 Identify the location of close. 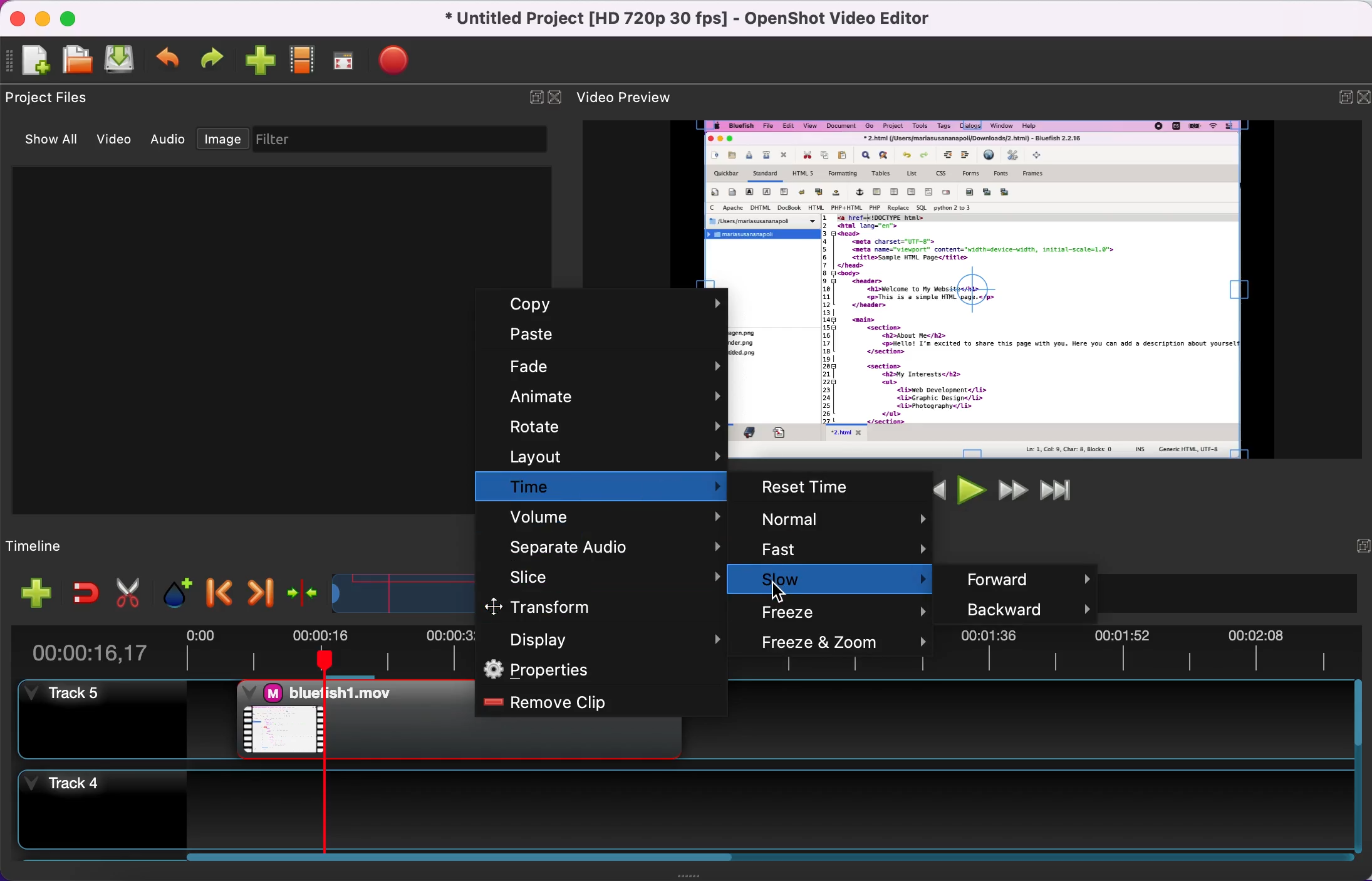
(1361, 98).